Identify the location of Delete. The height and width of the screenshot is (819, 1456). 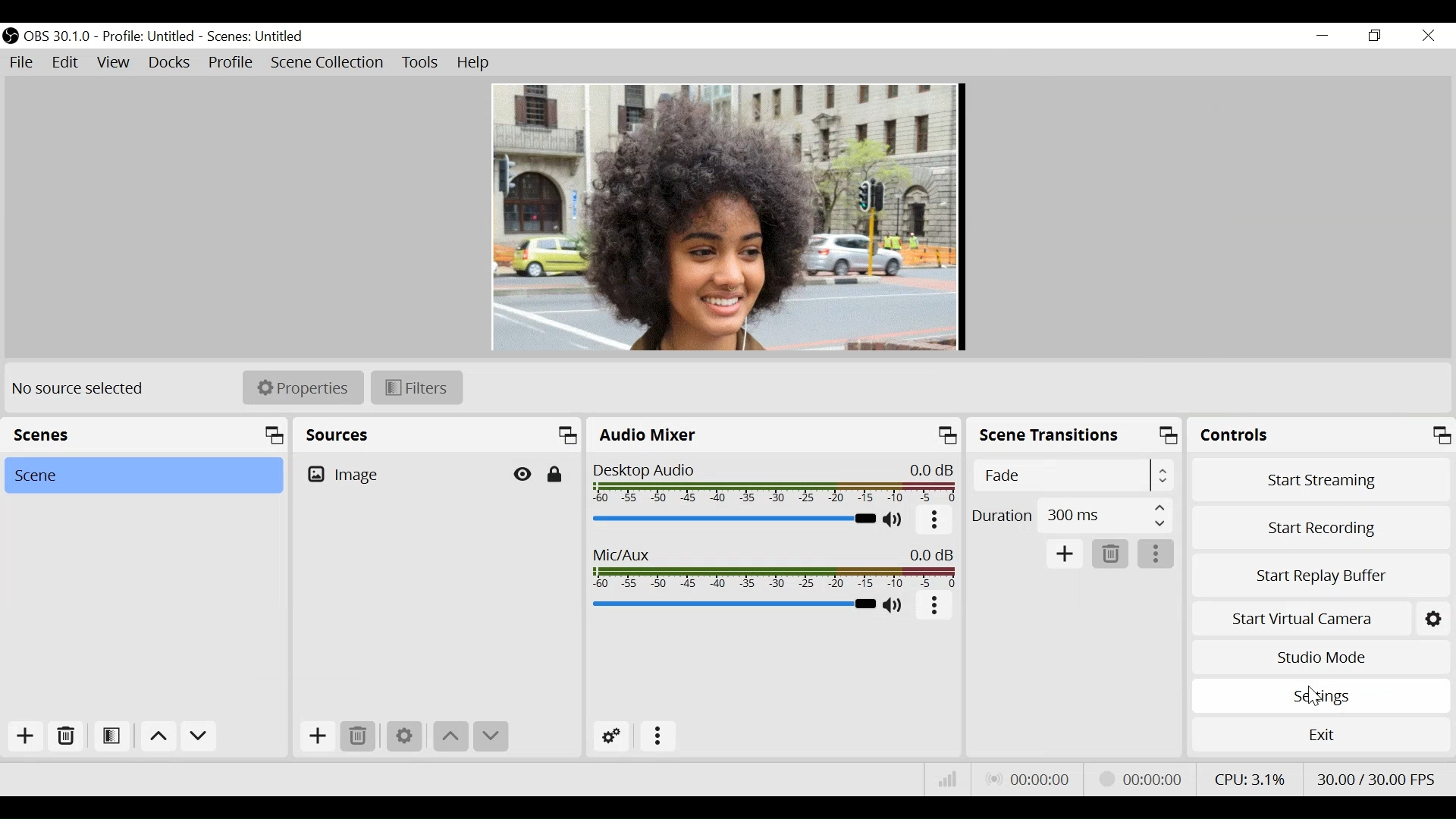
(1112, 553).